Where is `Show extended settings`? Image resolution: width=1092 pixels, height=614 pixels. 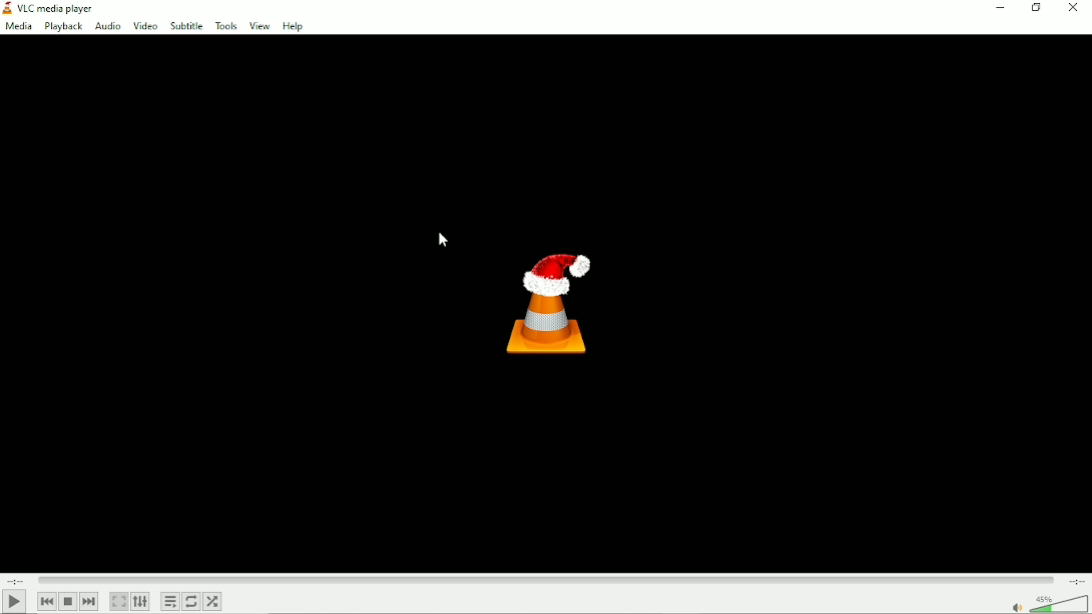
Show extended settings is located at coordinates (140, 602).